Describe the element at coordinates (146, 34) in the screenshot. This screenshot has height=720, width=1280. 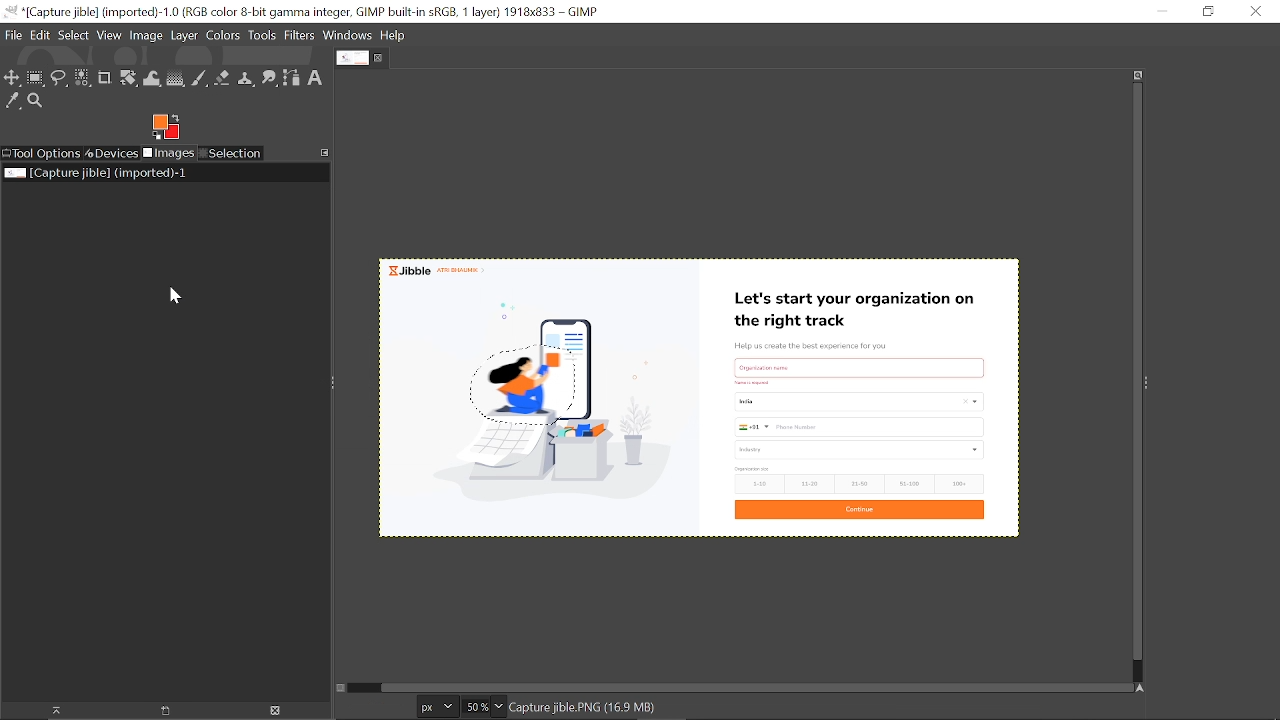
I see `Image` at that location.